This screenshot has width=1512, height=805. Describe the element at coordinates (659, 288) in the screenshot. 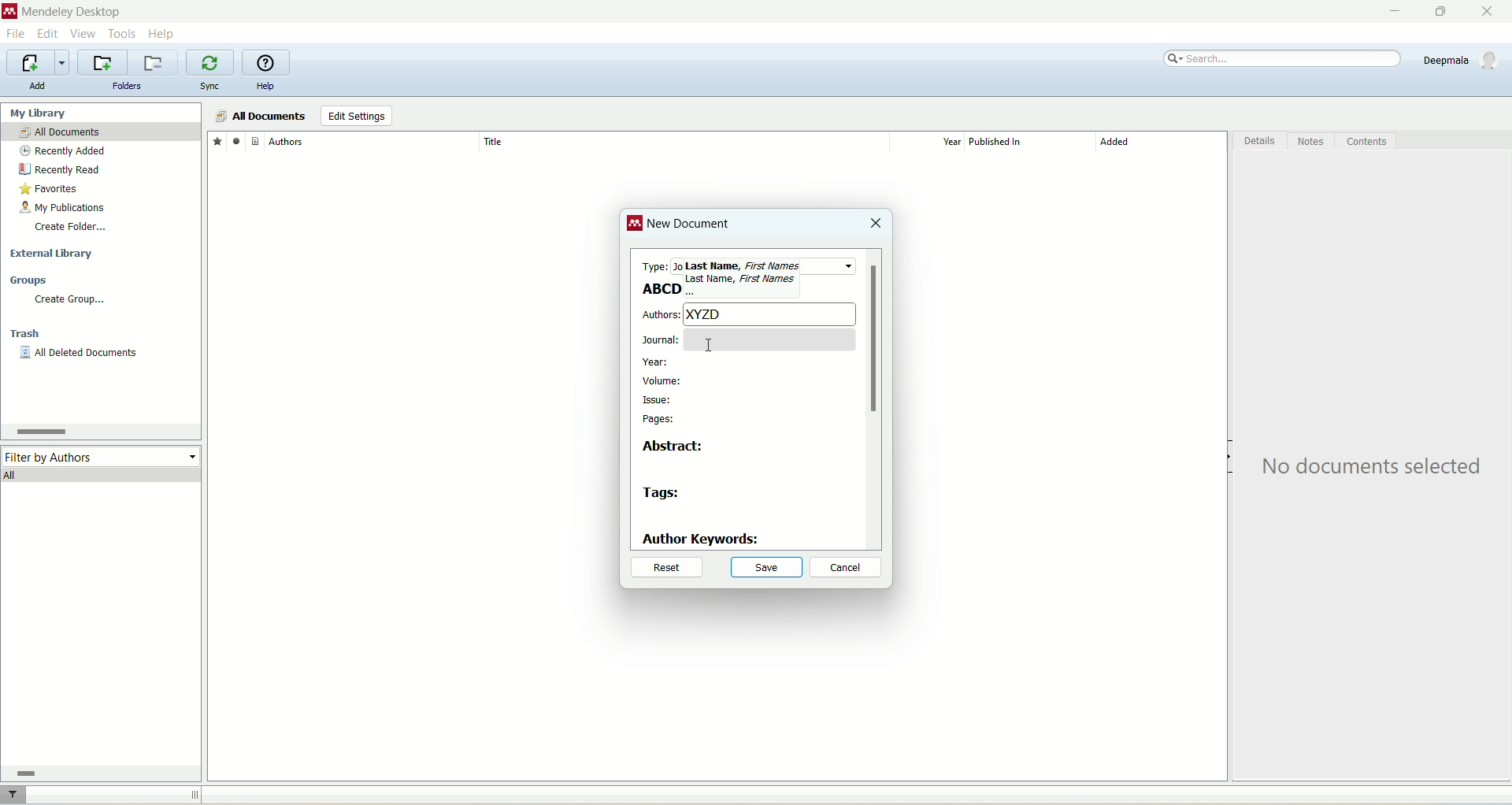

I see `ABCD` at that location.